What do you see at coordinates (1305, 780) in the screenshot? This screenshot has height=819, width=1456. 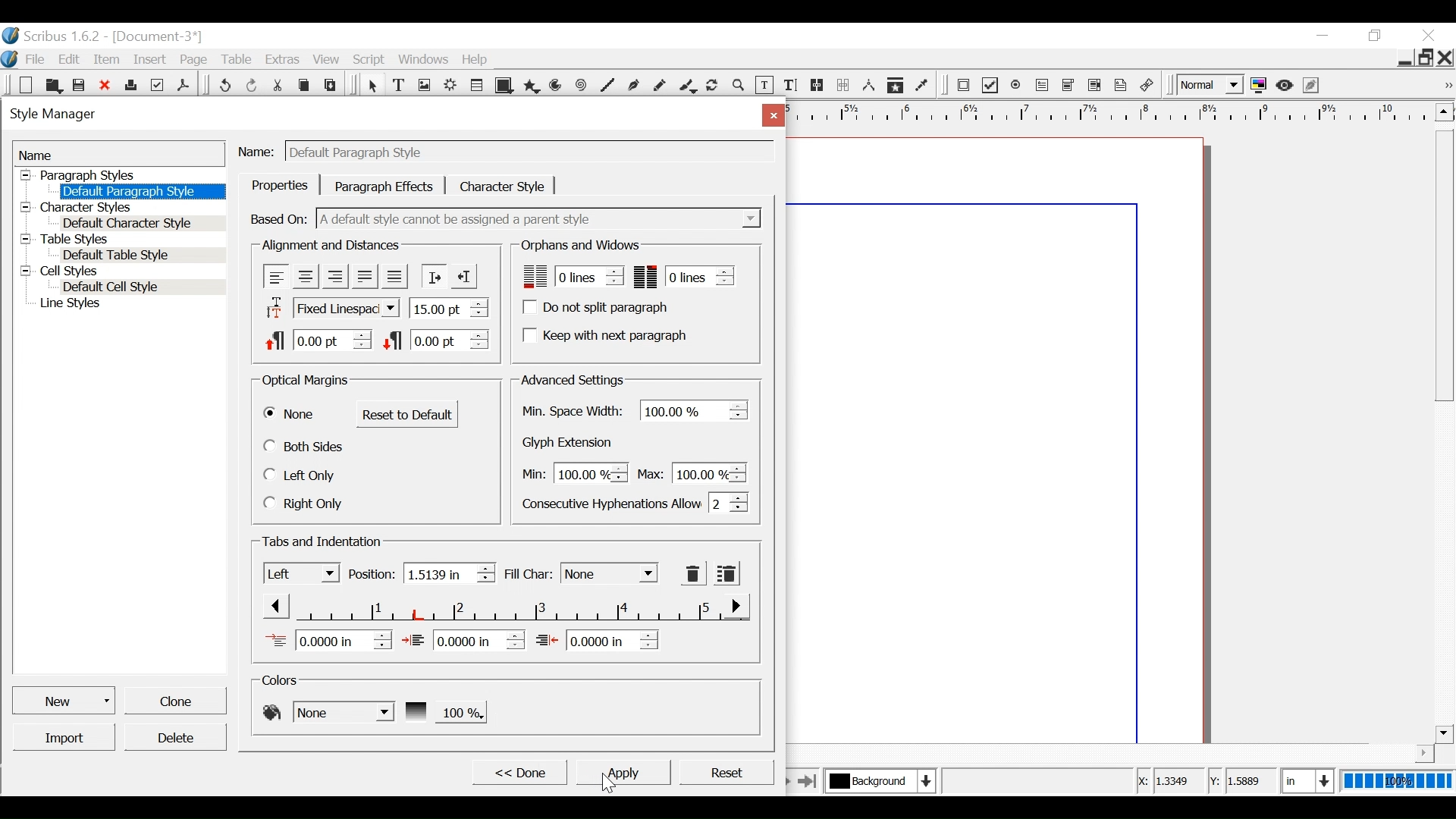 I see `Select the current unit` at bounding box center [1305, 780].